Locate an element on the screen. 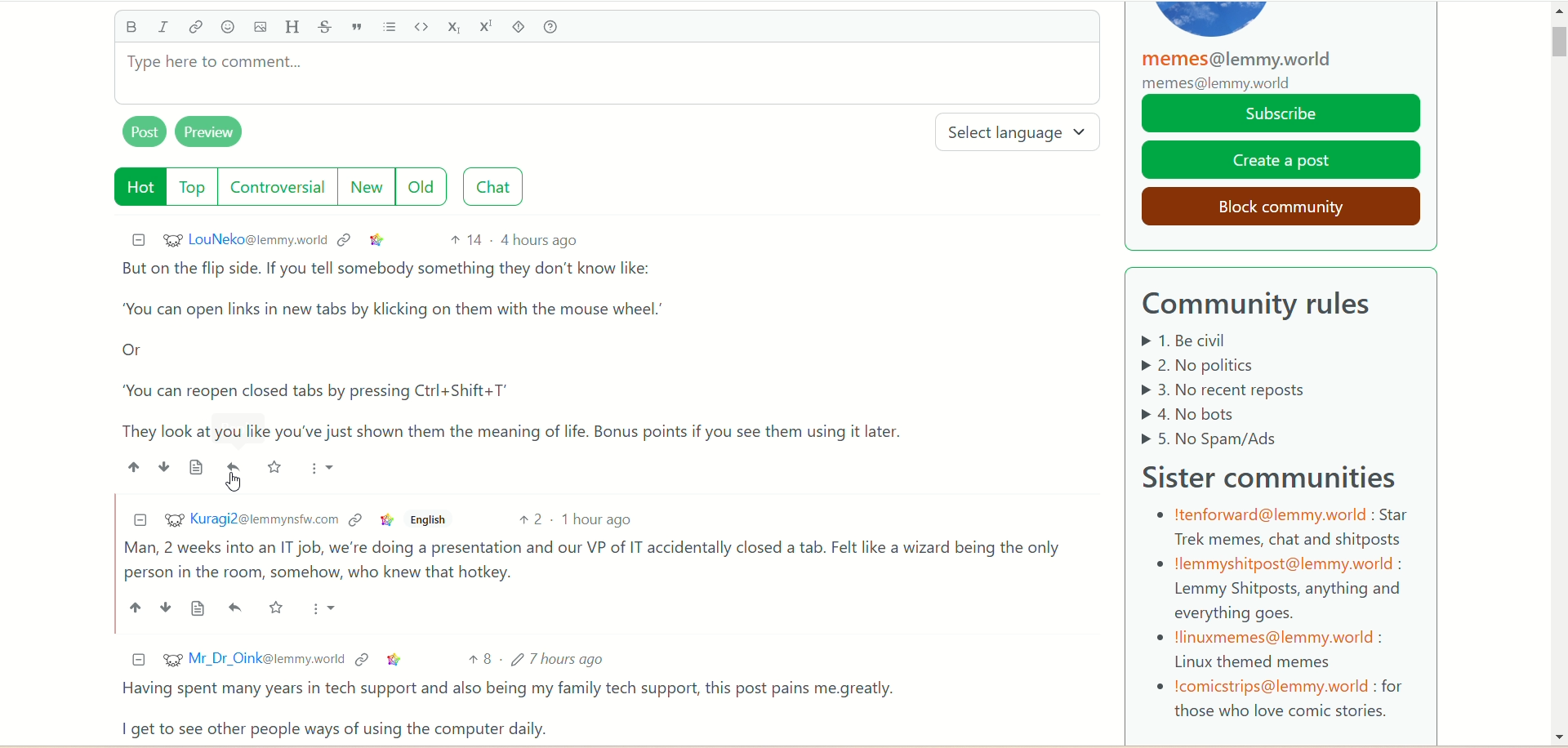 This screenshot has height=748, width=1568. username is located at coordinates (243, 240).